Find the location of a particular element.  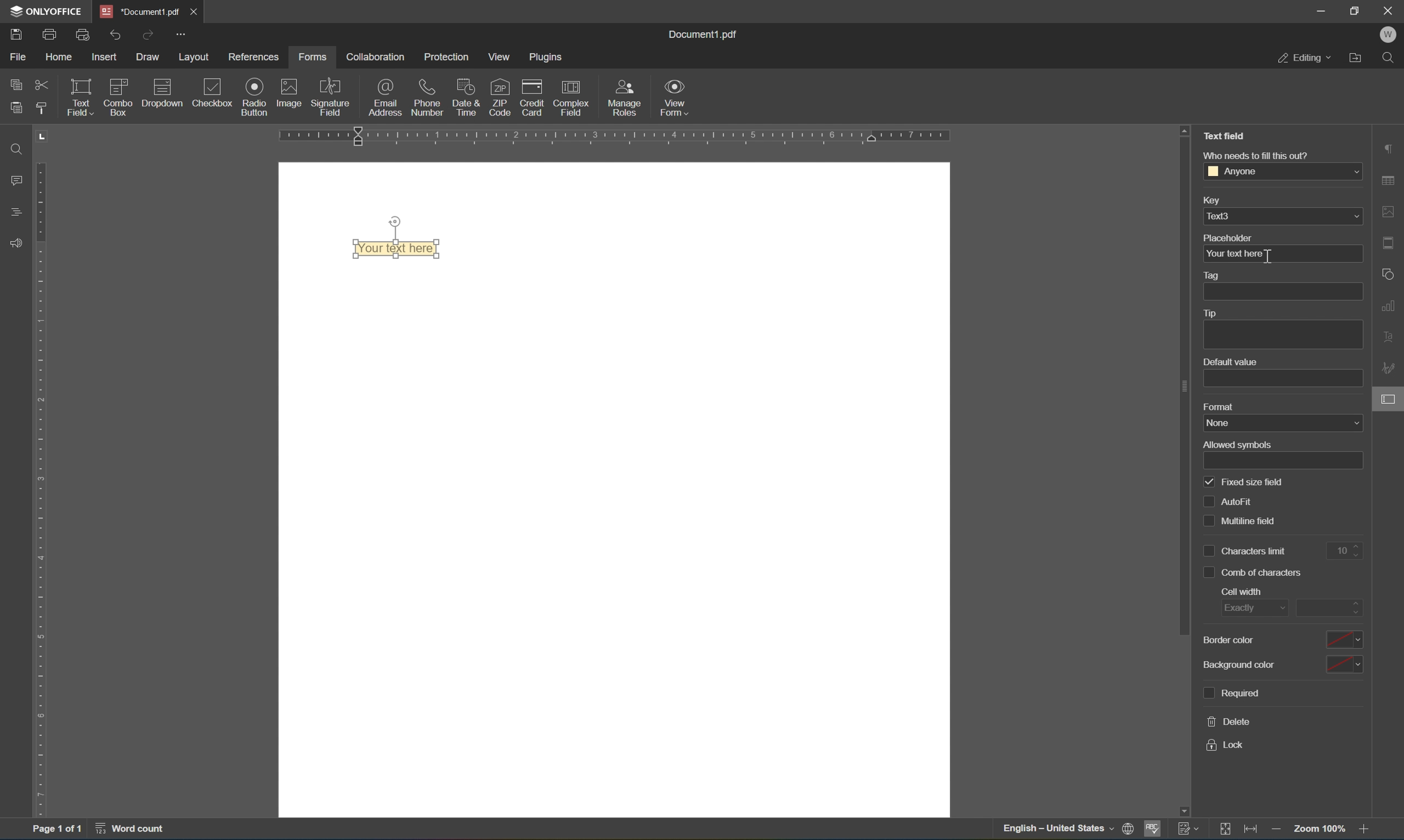

form settings is located at coordinates (1340, 421).